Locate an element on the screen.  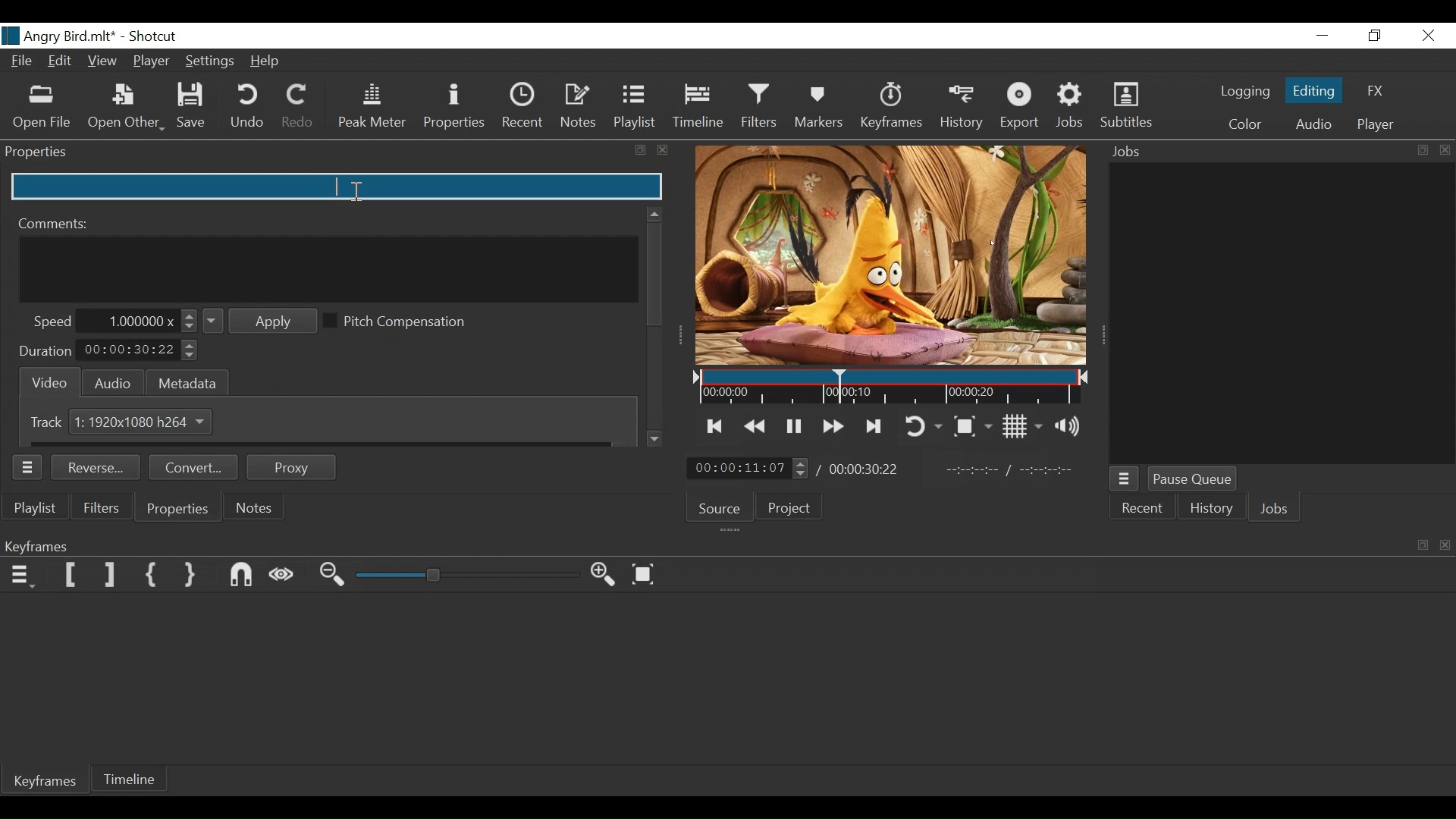
Properties Panel is located at coordinates (337, 152).